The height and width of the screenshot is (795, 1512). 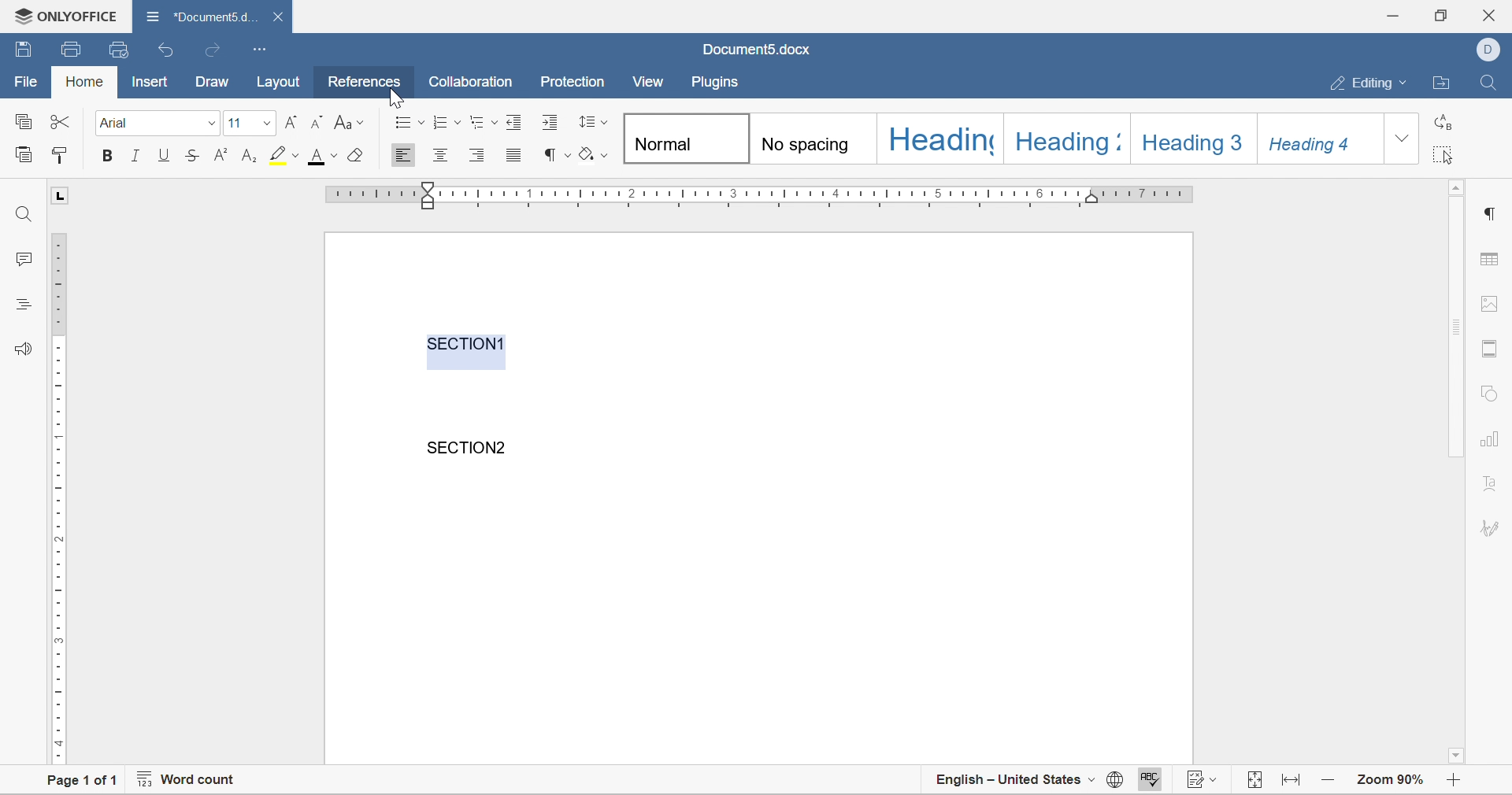 I want to click on english - united states, so click(x=1016, y=782).